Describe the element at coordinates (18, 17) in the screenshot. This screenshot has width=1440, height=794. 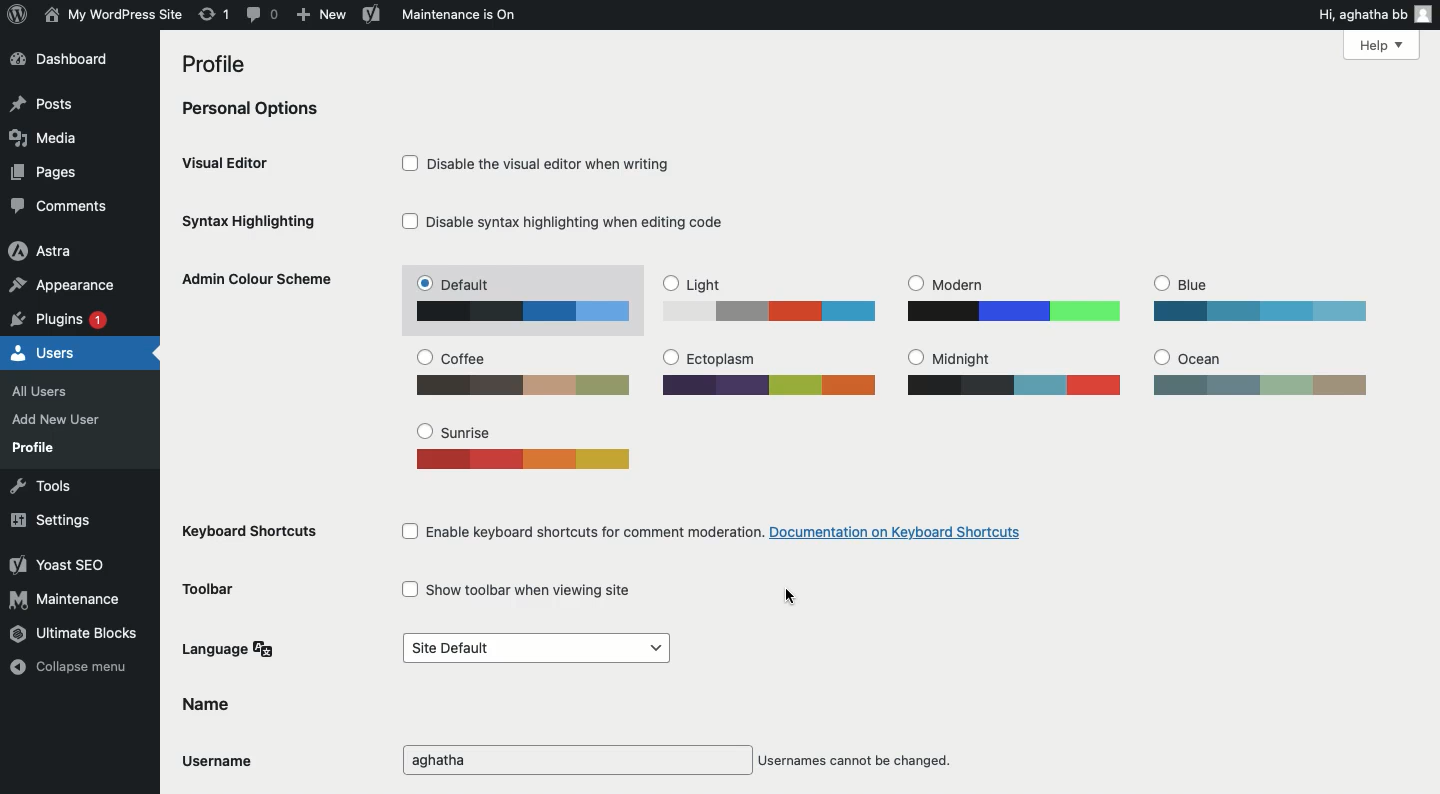
I see `Logo` at that location.